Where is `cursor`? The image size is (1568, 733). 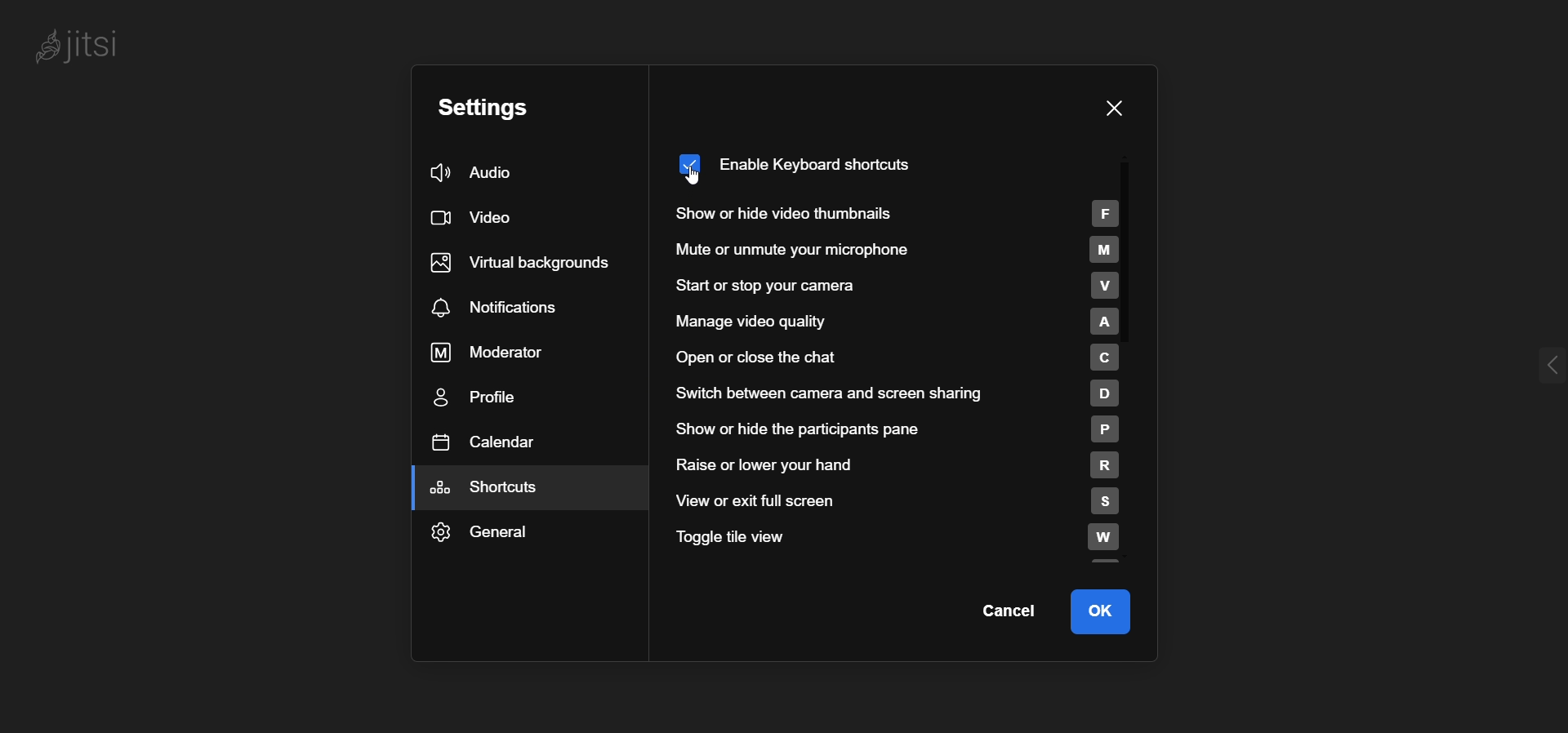 cursor is located at coordinates (702, 184).